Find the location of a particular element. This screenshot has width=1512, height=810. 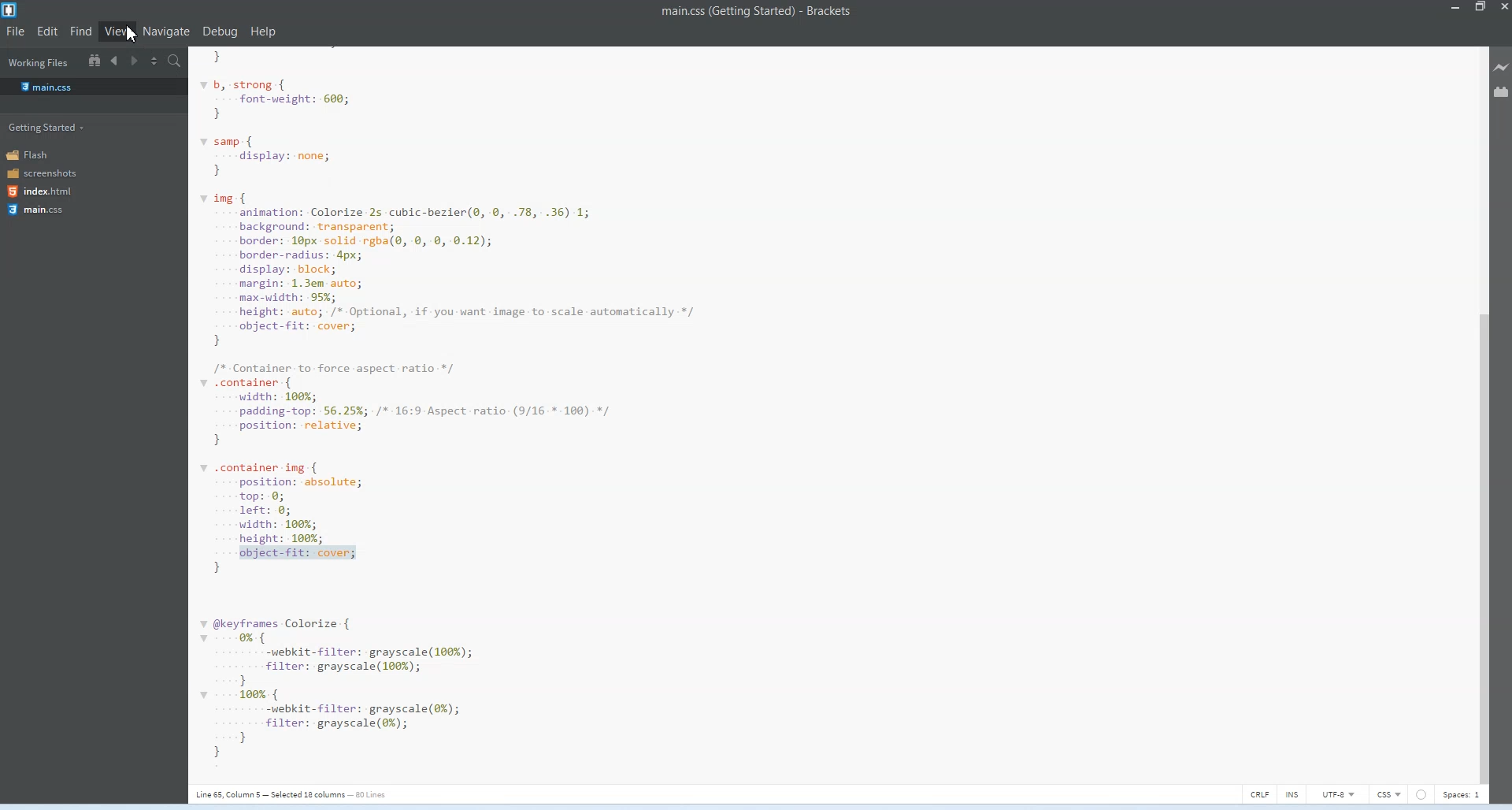

Logo is located at coordinates (13, 9).